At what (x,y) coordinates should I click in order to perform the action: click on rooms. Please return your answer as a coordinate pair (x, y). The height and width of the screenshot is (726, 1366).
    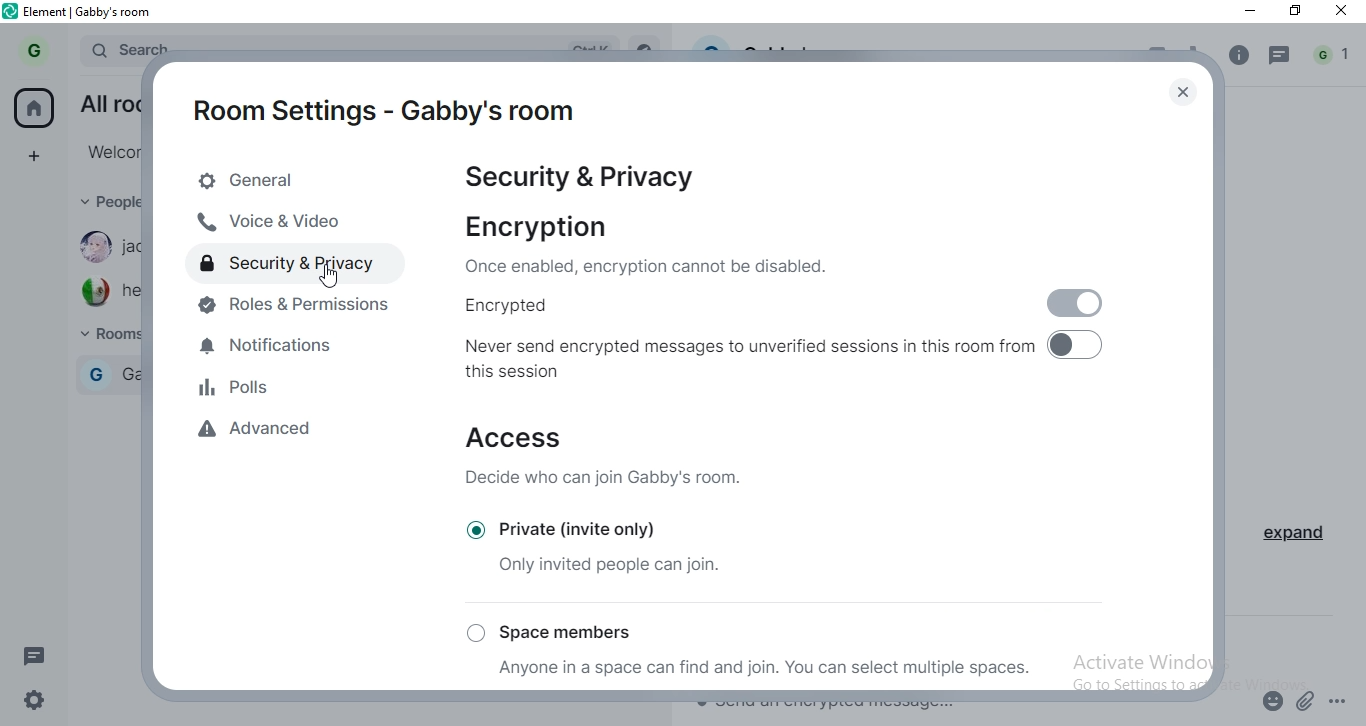
    Looking at the image, I should click on (107, 336).